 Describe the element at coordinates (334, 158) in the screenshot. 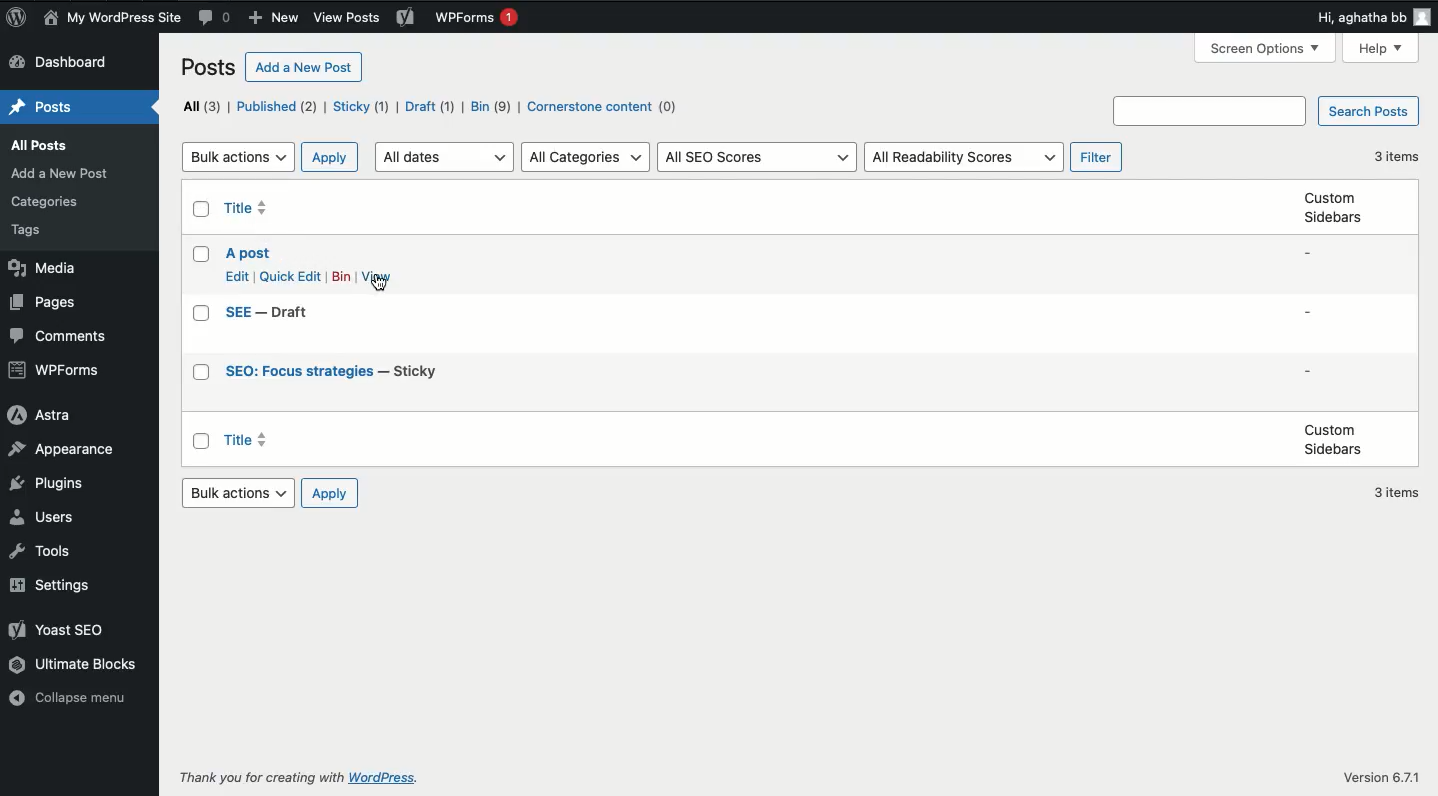

I see `Apply` at that location.